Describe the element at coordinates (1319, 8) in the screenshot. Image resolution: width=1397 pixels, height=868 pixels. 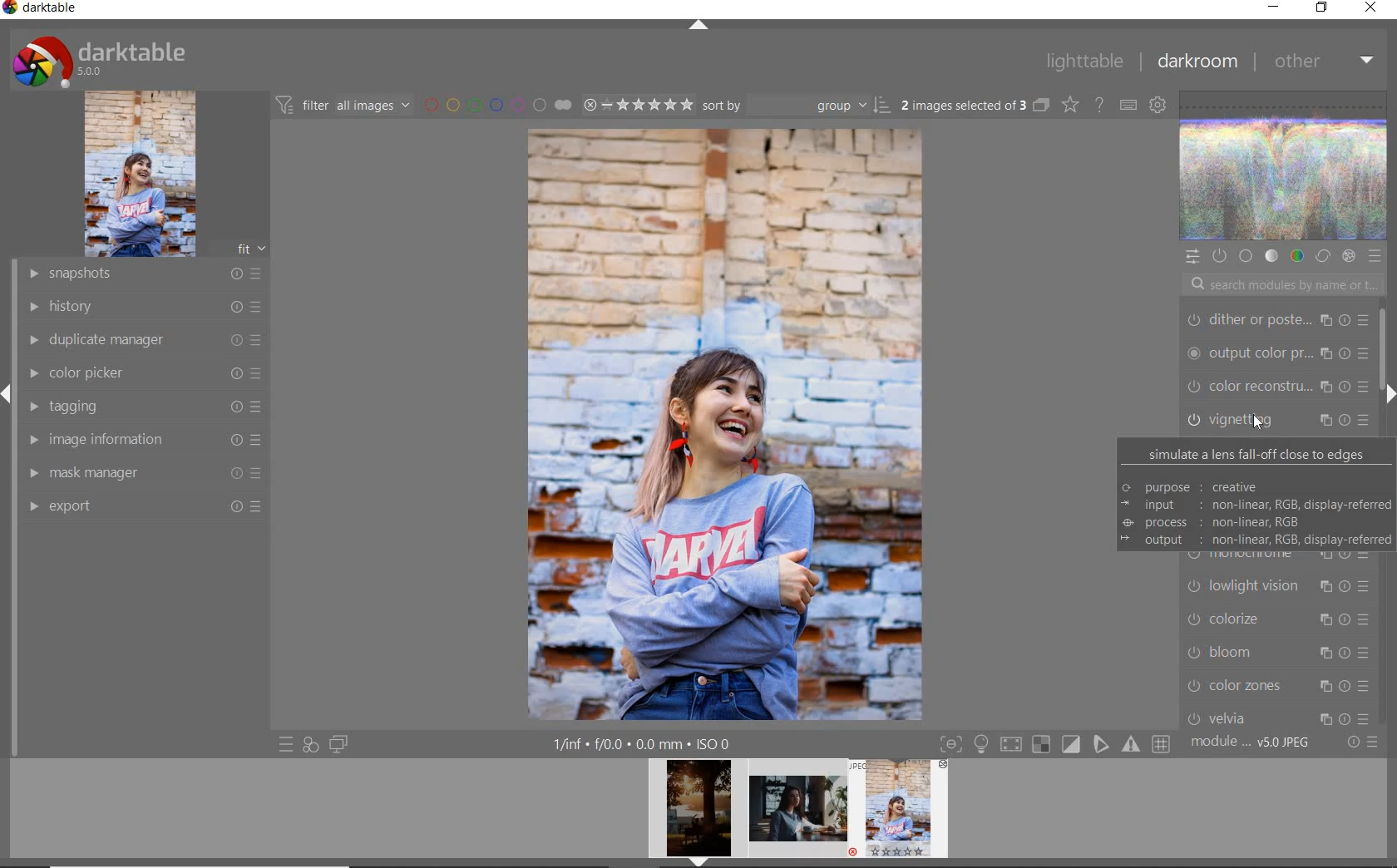
I see `RSTORE` at that location.